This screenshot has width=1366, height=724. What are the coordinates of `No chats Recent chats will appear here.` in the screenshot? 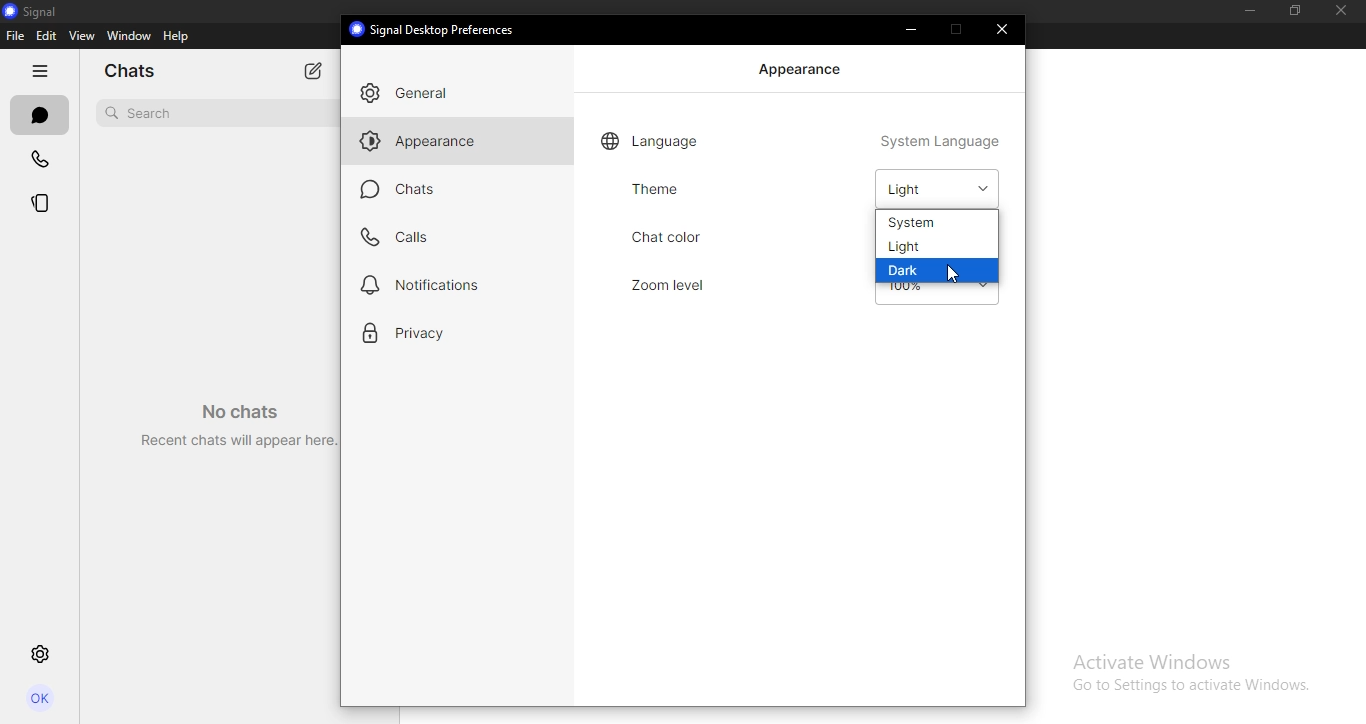 It's located at (231, 418).